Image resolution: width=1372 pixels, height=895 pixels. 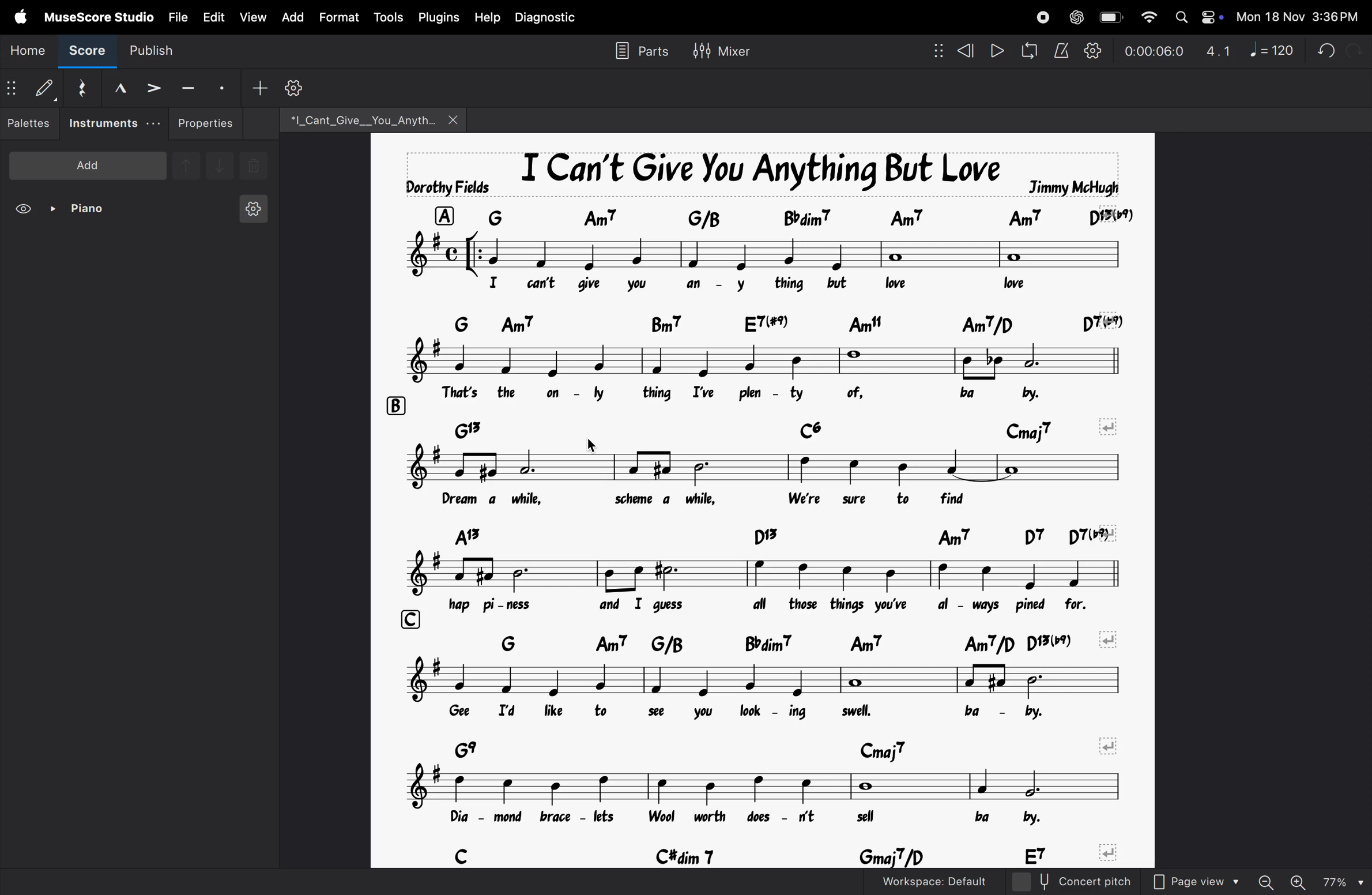 I want to click on chord symbols, so click(x=782, y=535).